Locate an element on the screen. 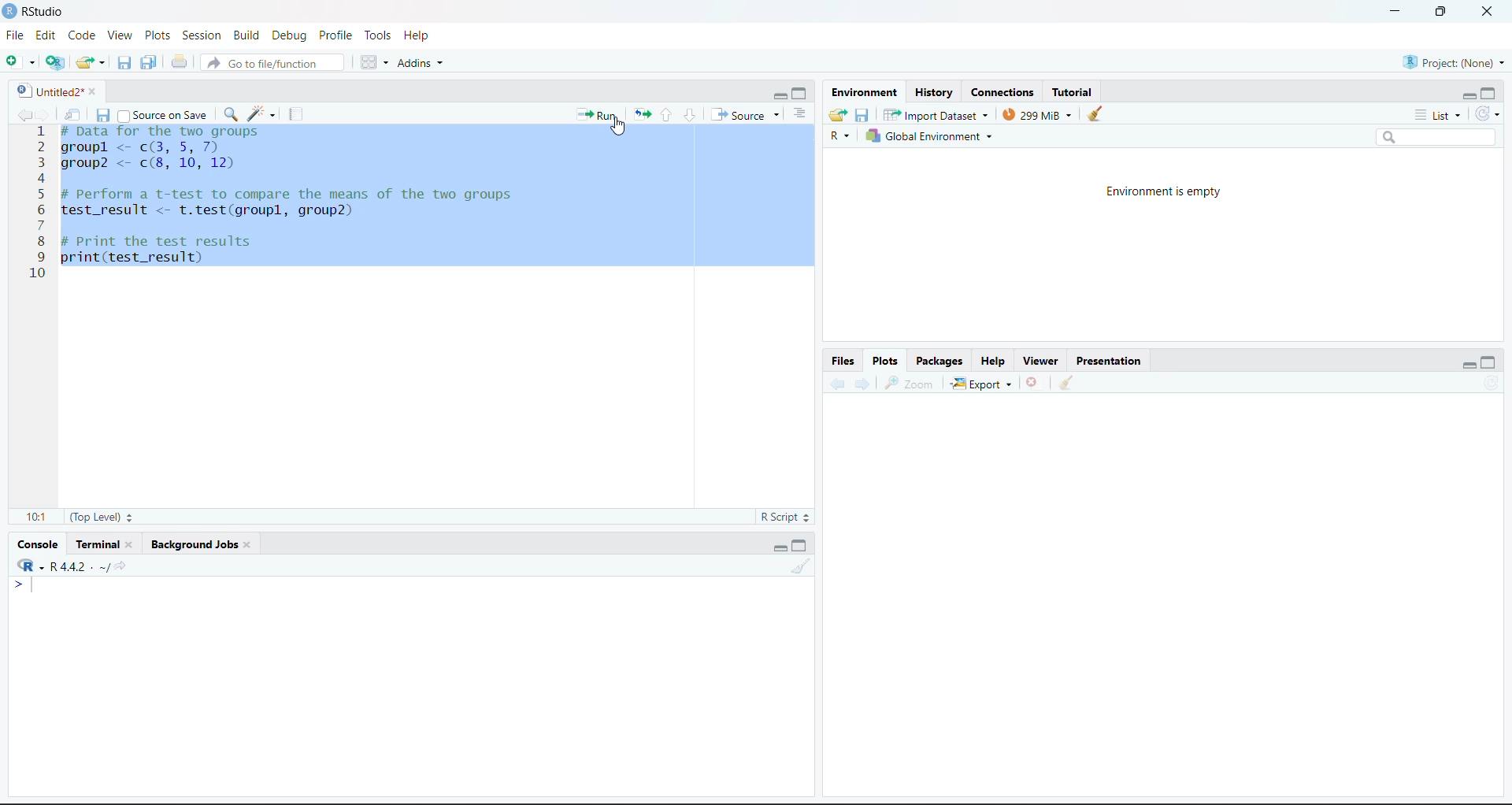 The height and width of the screenshot is (805, 1512). close is located at coordinates (132, 544).